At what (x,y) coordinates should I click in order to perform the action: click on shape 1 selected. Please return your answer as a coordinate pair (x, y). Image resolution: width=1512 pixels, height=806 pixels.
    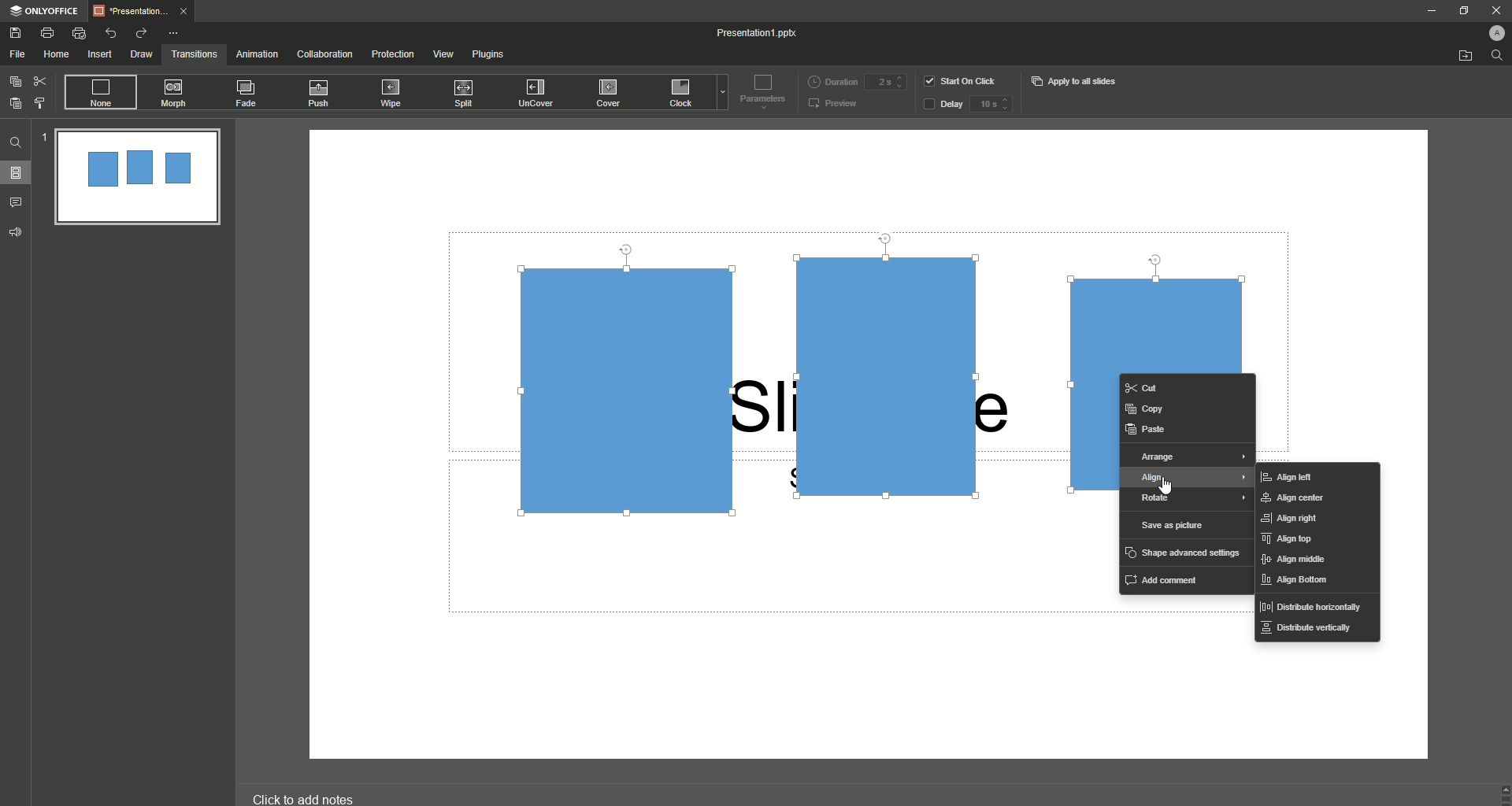
    Looking at the image, I should click on (625, 383).